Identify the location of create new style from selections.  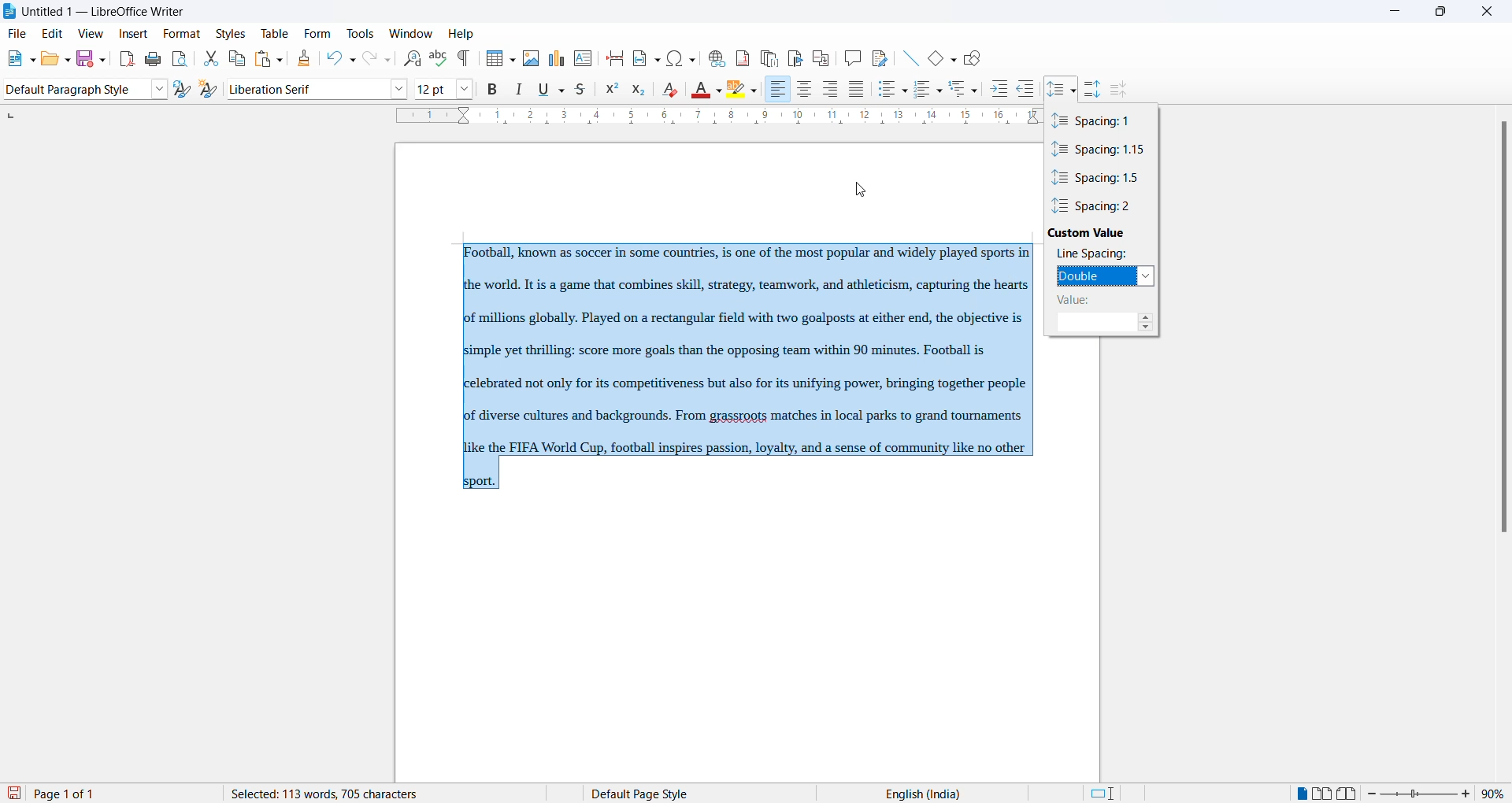
(209, 89).